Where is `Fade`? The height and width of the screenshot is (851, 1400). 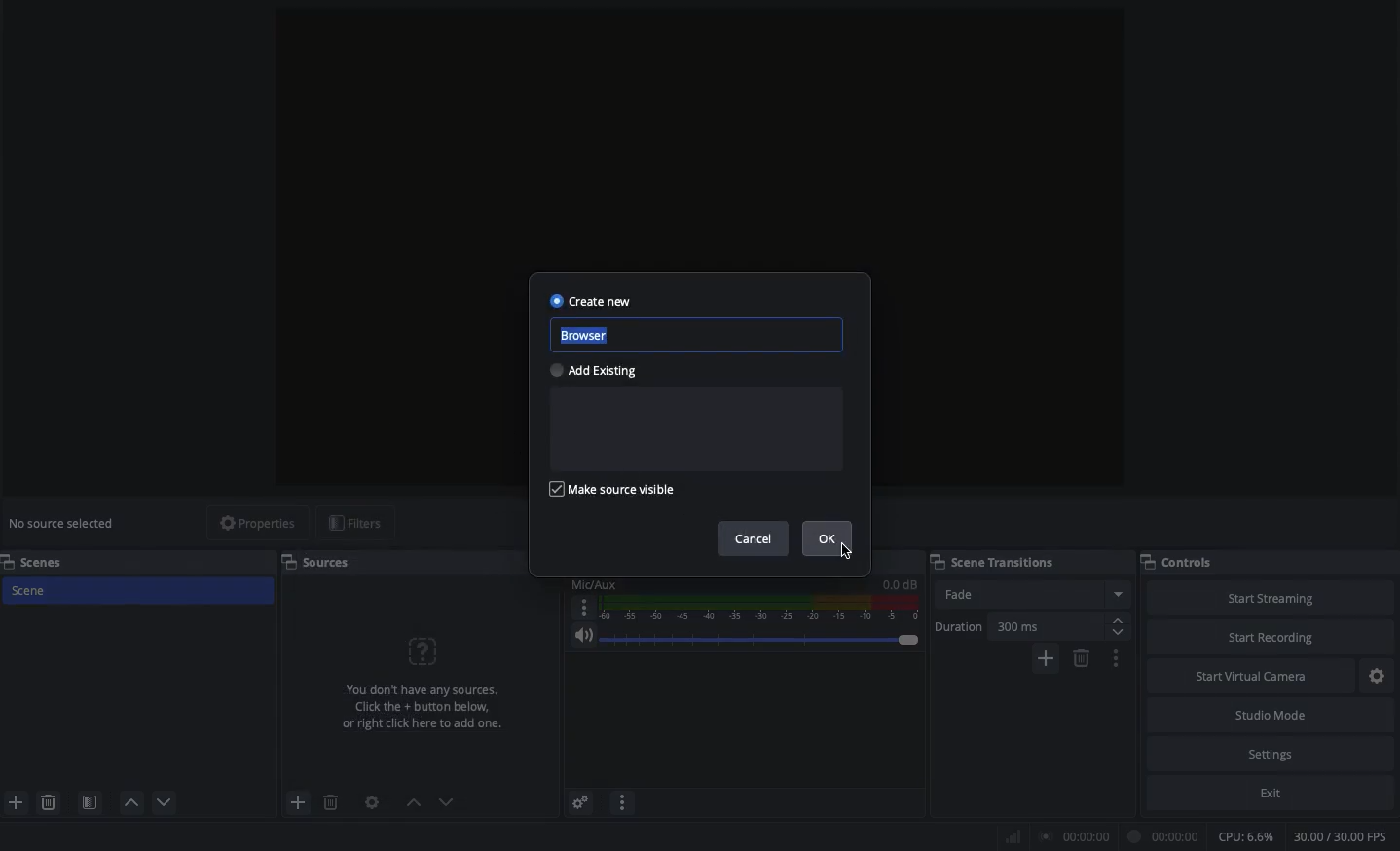
Fade is located at coordinates (1034, 593).